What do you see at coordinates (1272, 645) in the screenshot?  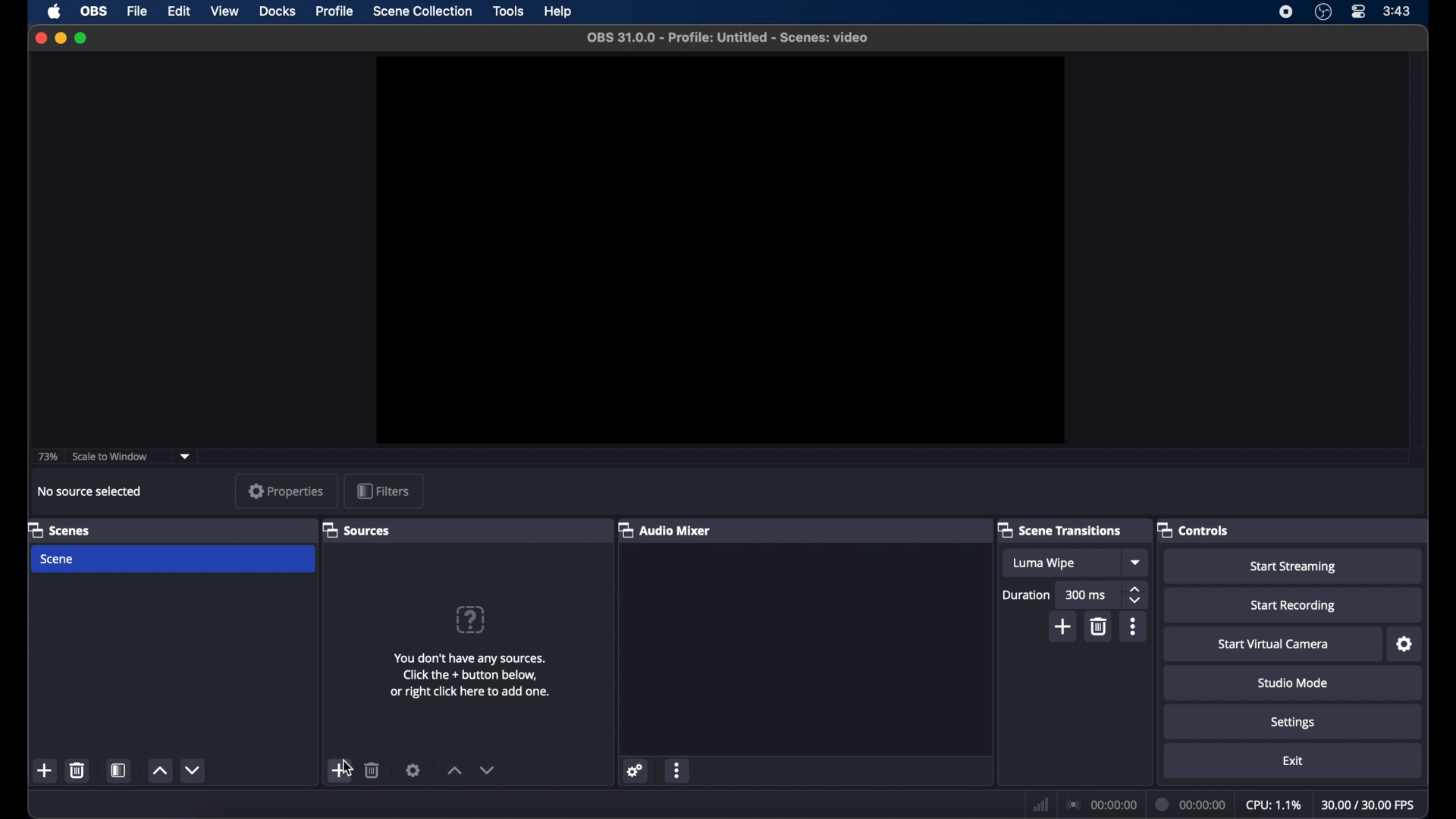 I see `start virtual camera` at bounding box center [1272, 645].